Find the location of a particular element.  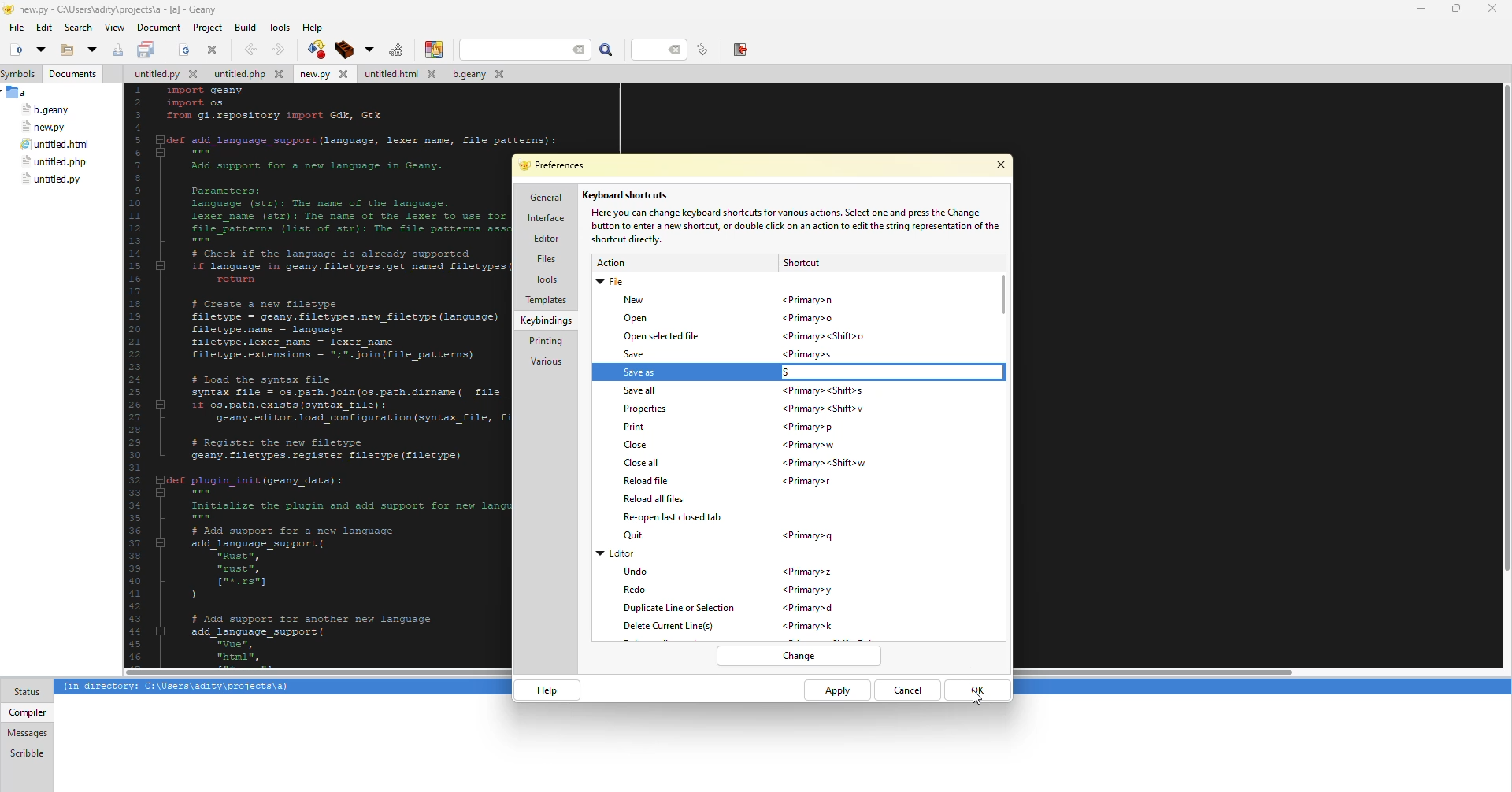

tools is located at coordinates (546, 279).